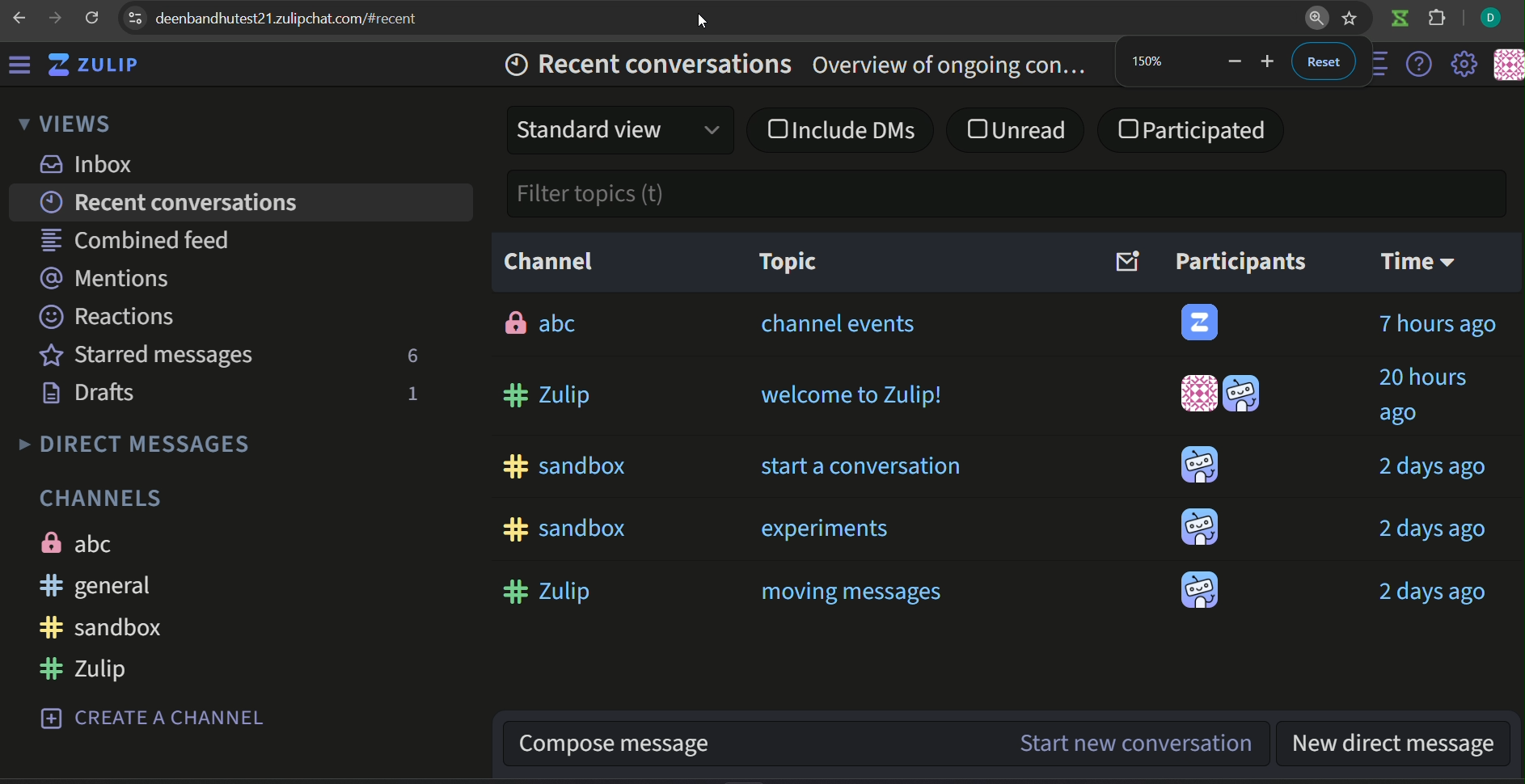  What do you see at coordinates (1242, 392) in the screenshot?
I see `icon` at bounding box center [1242, 392].